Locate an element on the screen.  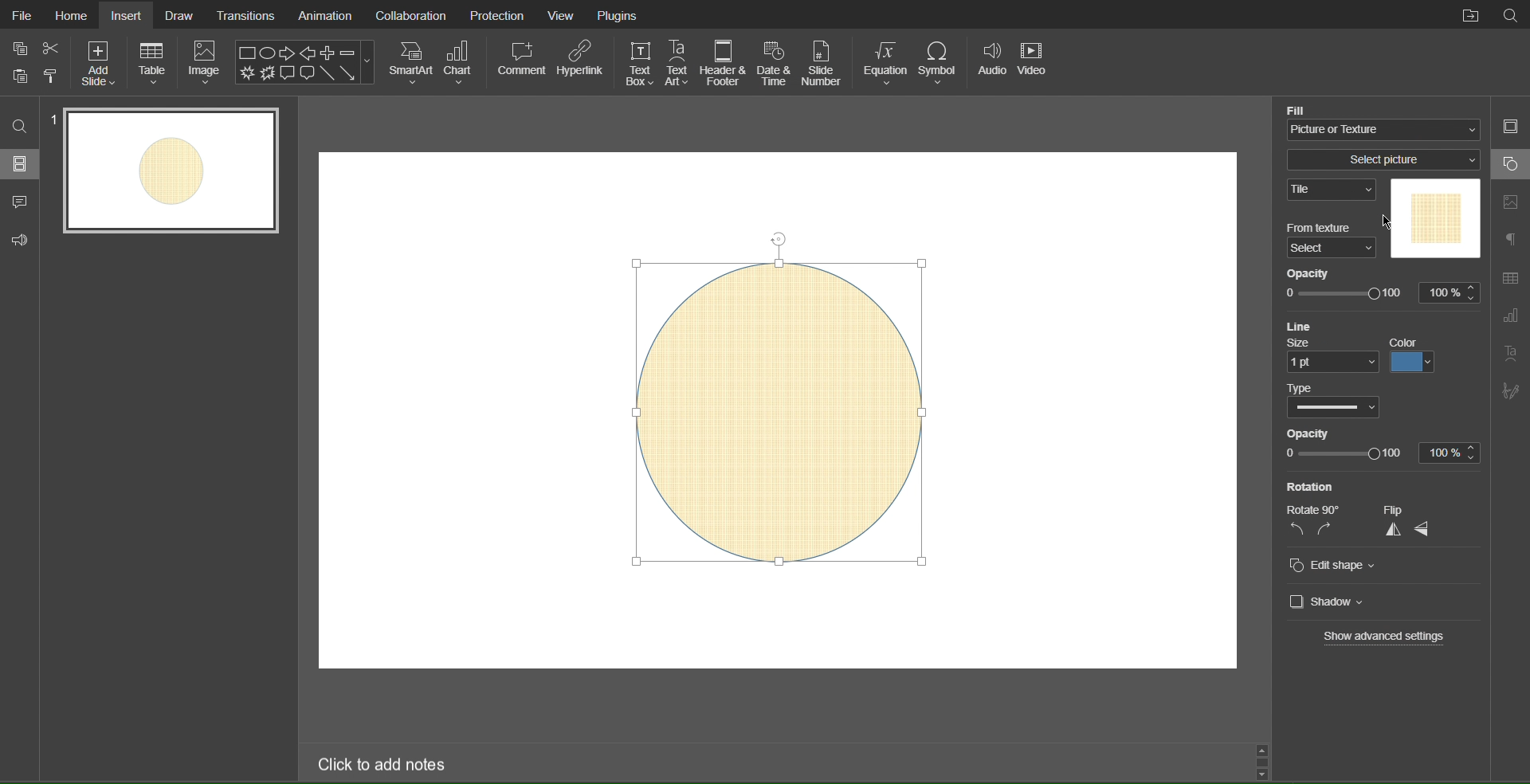
File is located at coordinates (19, 14).